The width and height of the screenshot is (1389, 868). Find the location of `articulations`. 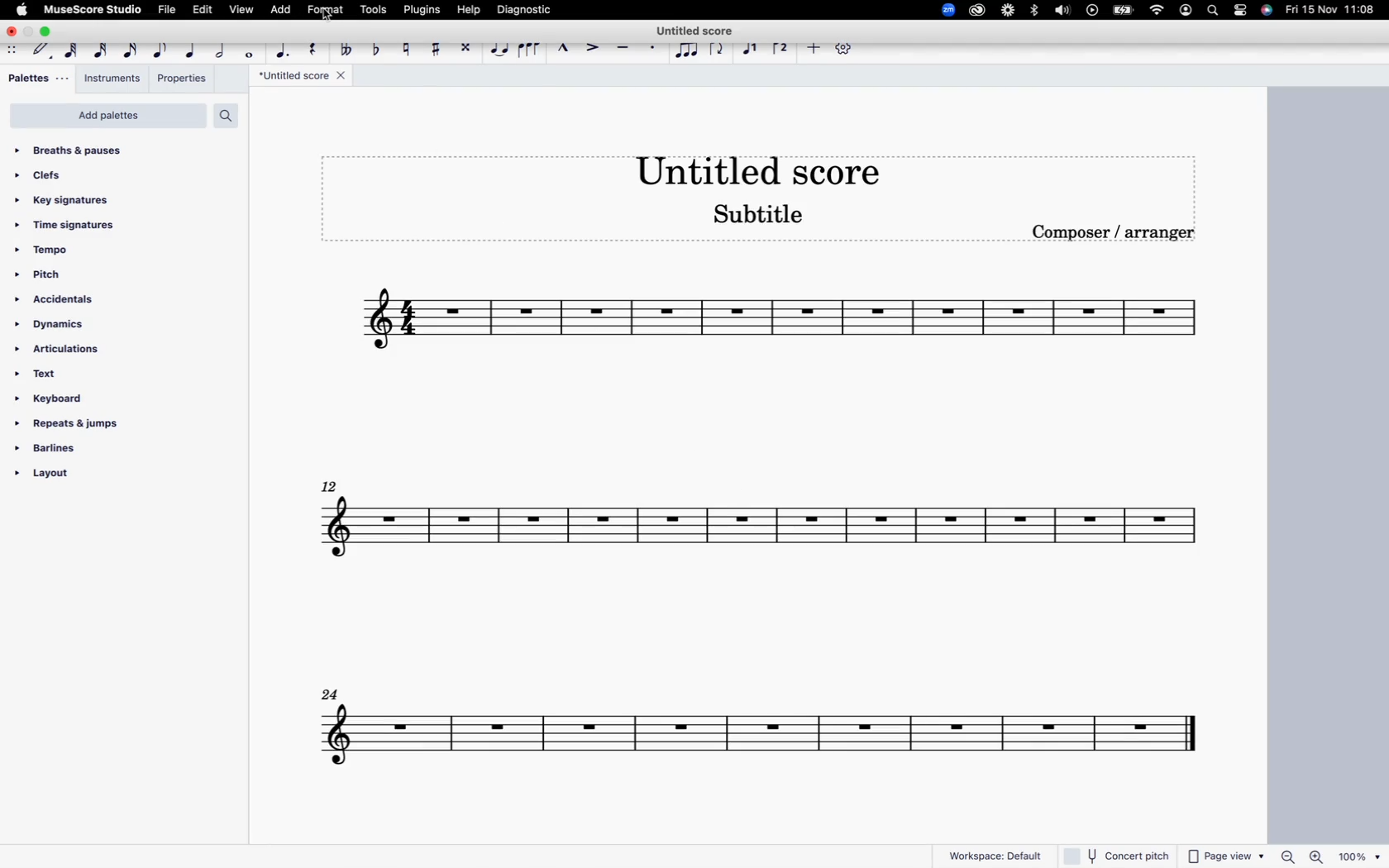

articulations is located at coordinates (60, 350).